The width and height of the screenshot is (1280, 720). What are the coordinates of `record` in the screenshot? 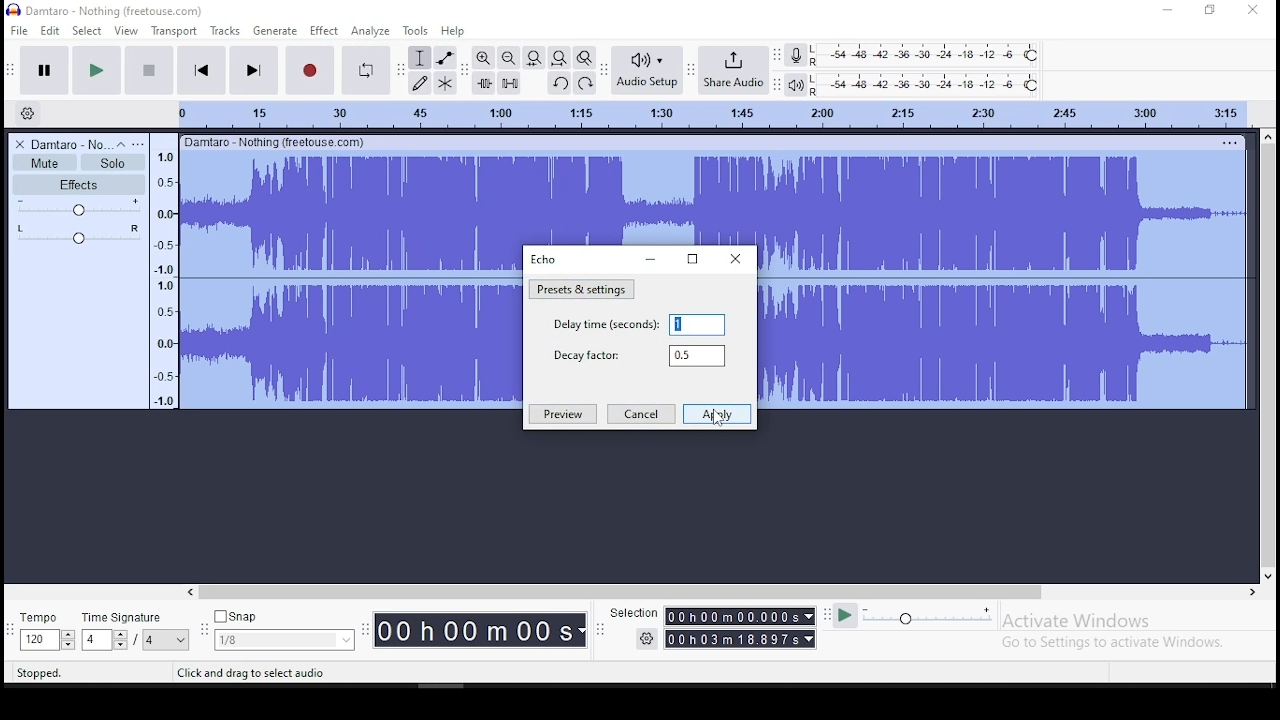 It's located at (311, 71).